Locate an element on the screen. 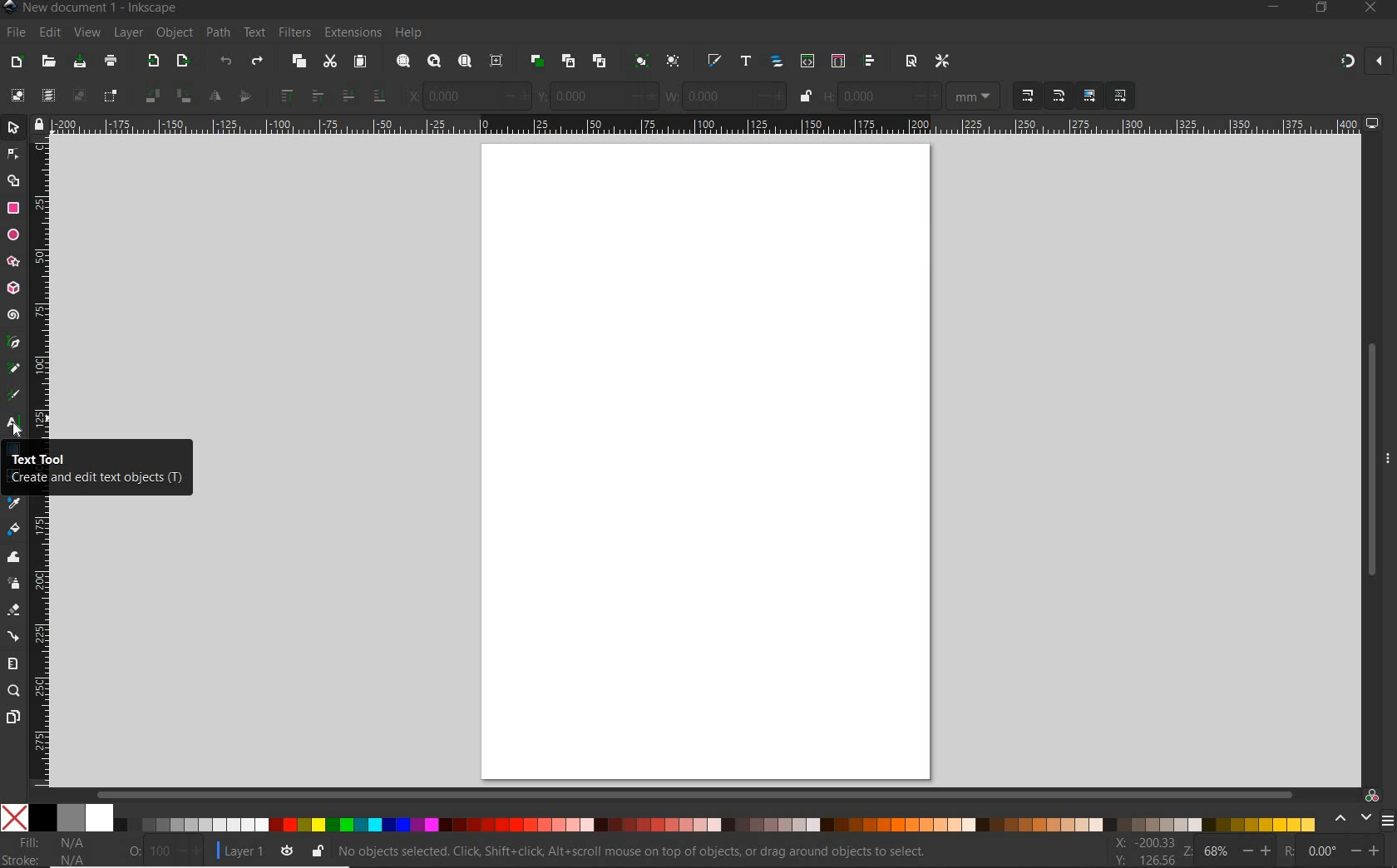 The width and height of the screenshot is (1397, 868). hide is located at coordinates (1389, 456).